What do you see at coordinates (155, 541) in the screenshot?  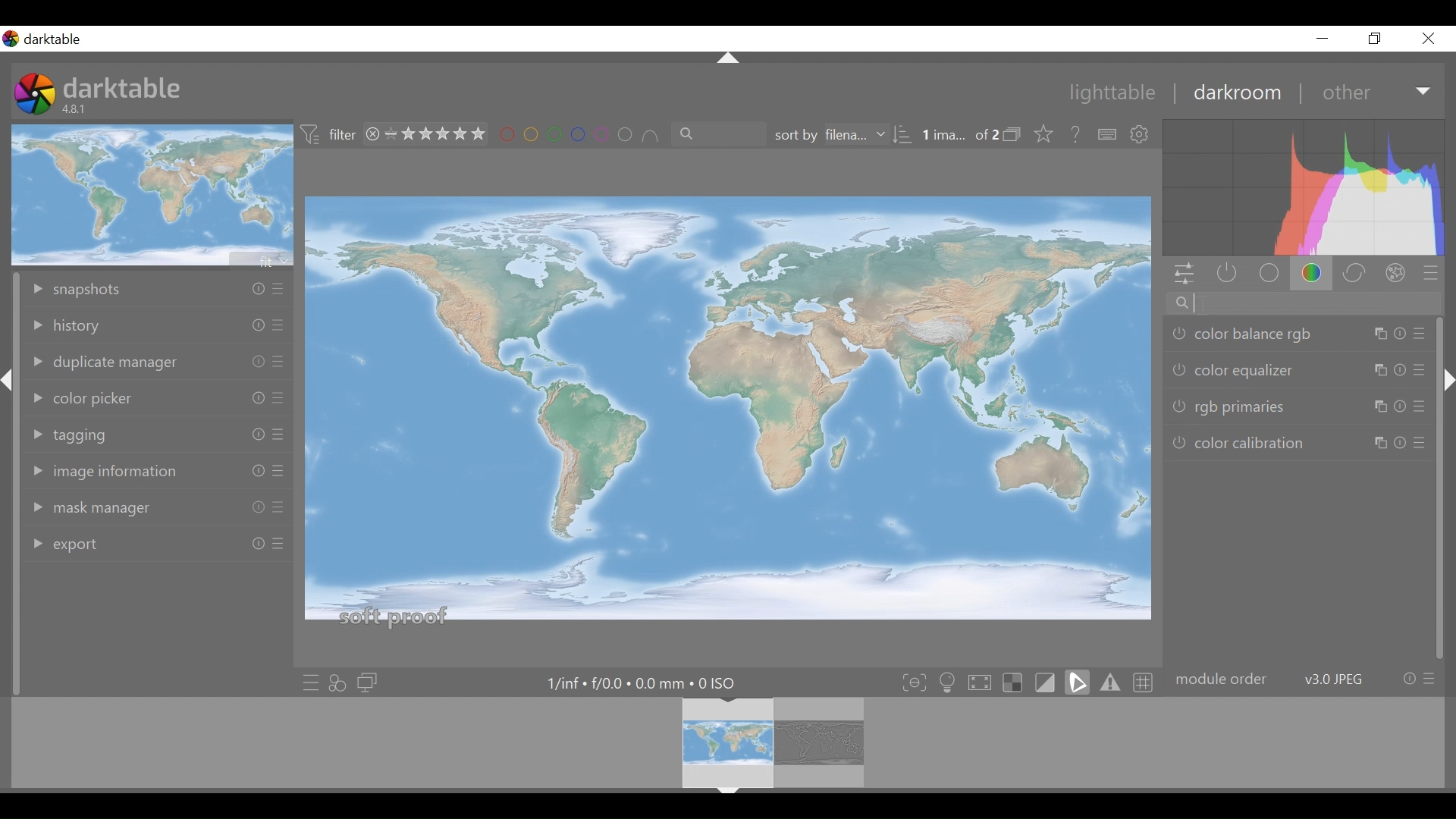 I see `export` at bounding box center [155, 541].